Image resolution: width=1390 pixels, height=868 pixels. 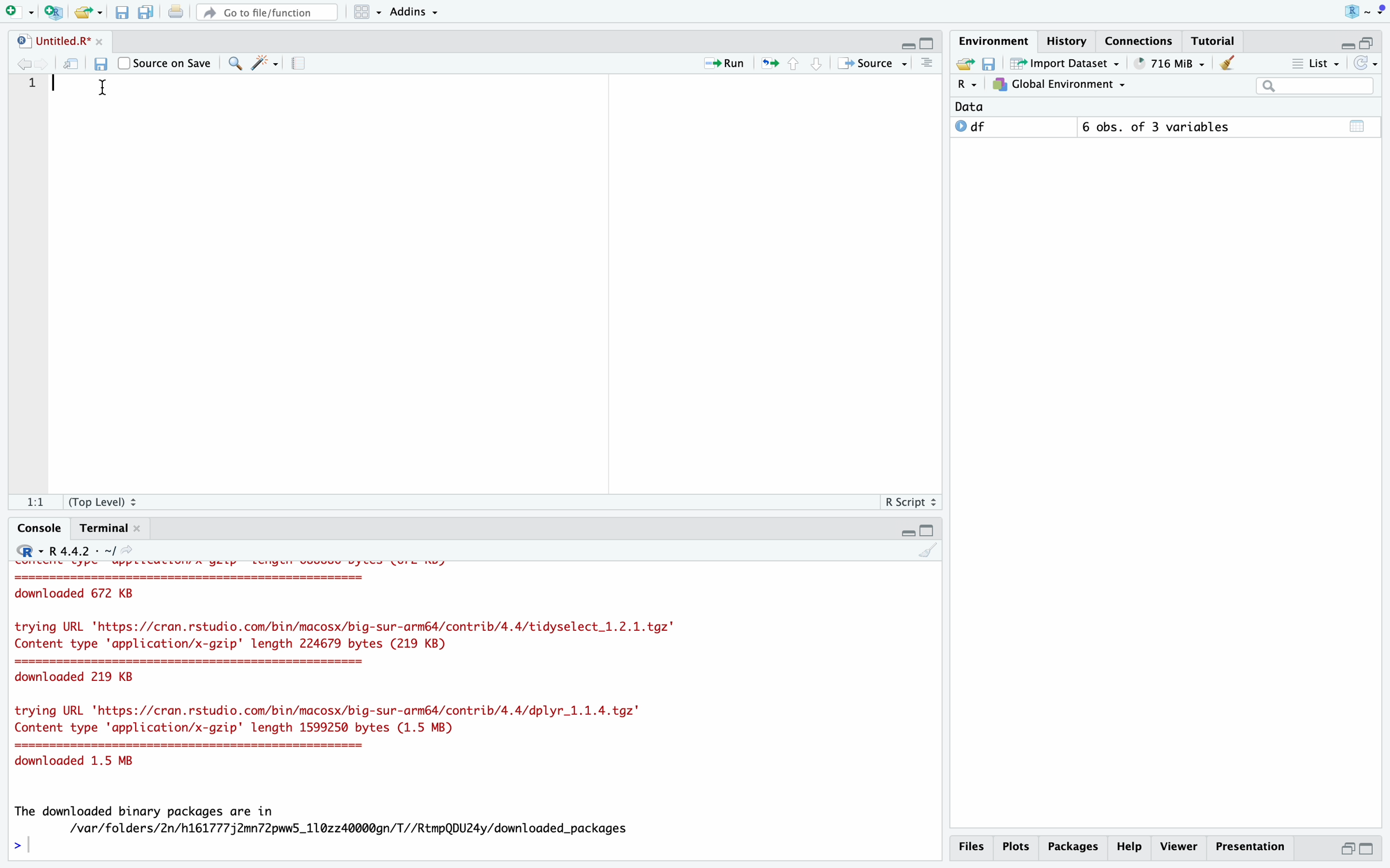 What do you see at coordinates (1169, 63) in the screenshot?
I see `248 MiB` at bounding box center [1169, 63].